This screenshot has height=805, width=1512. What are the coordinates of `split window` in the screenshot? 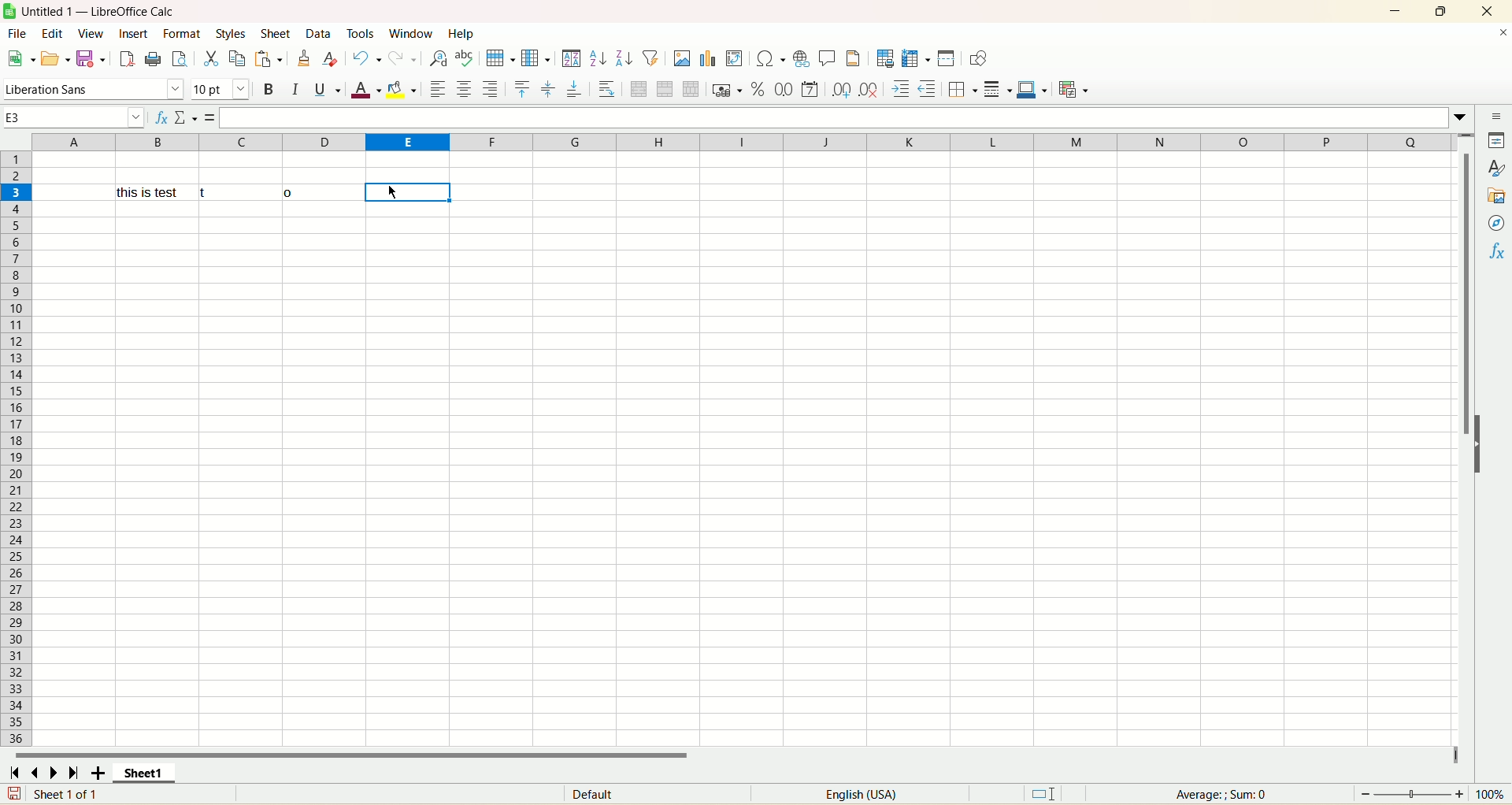 It's located at (947, 60).